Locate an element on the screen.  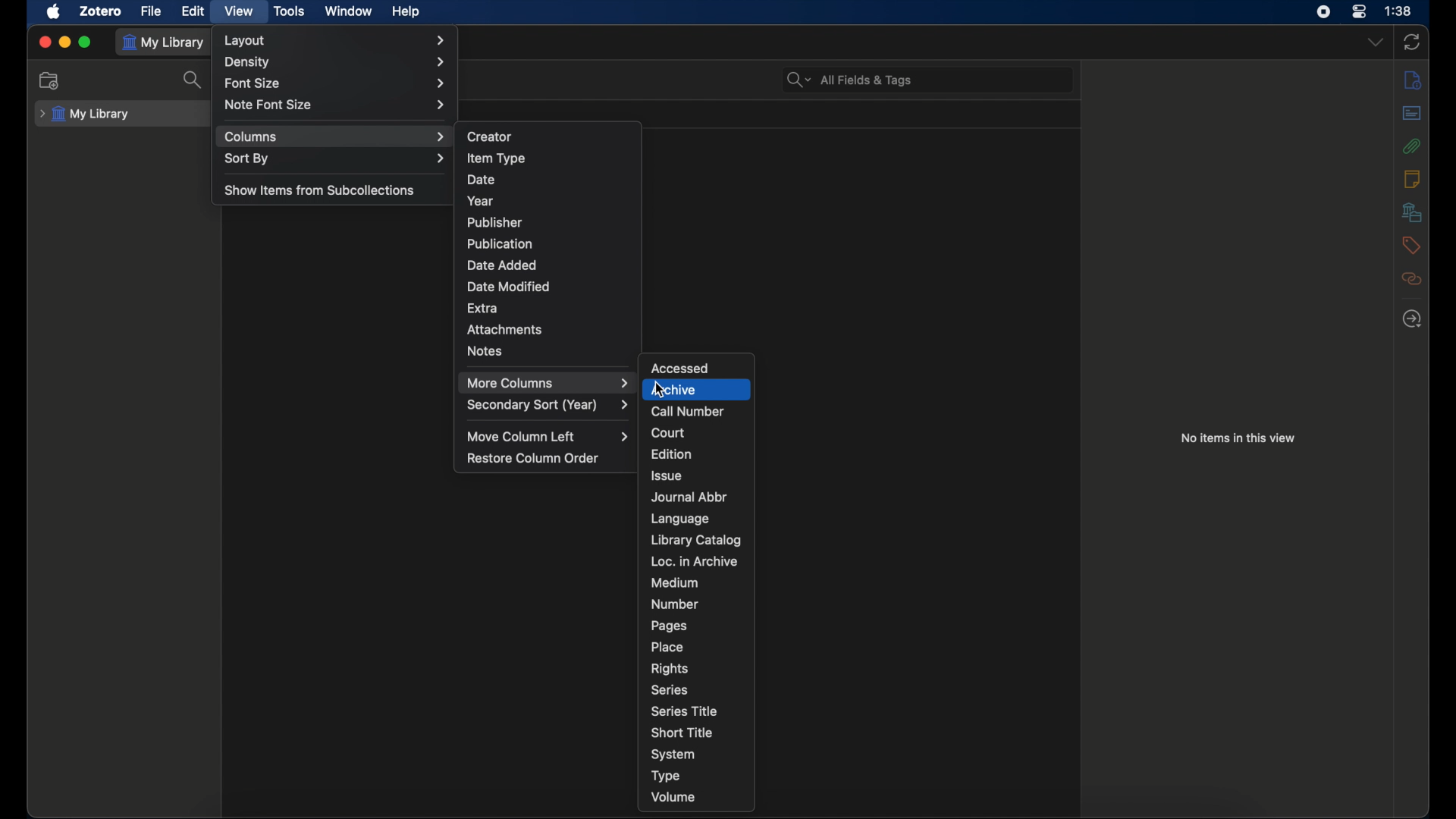
extra is located at coordinates (482, 307).